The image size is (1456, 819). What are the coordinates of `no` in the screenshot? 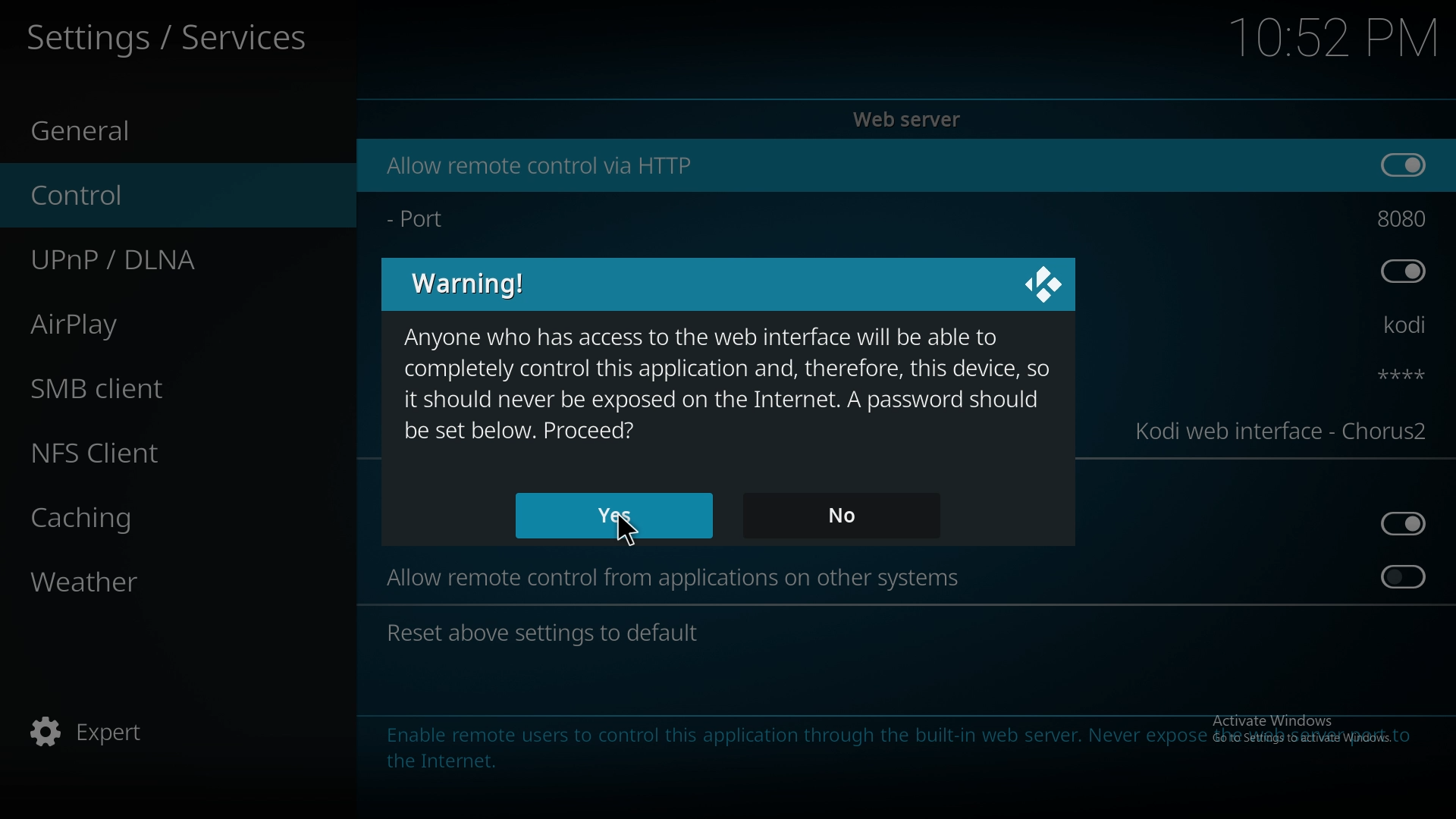 It's located at (839, 515).